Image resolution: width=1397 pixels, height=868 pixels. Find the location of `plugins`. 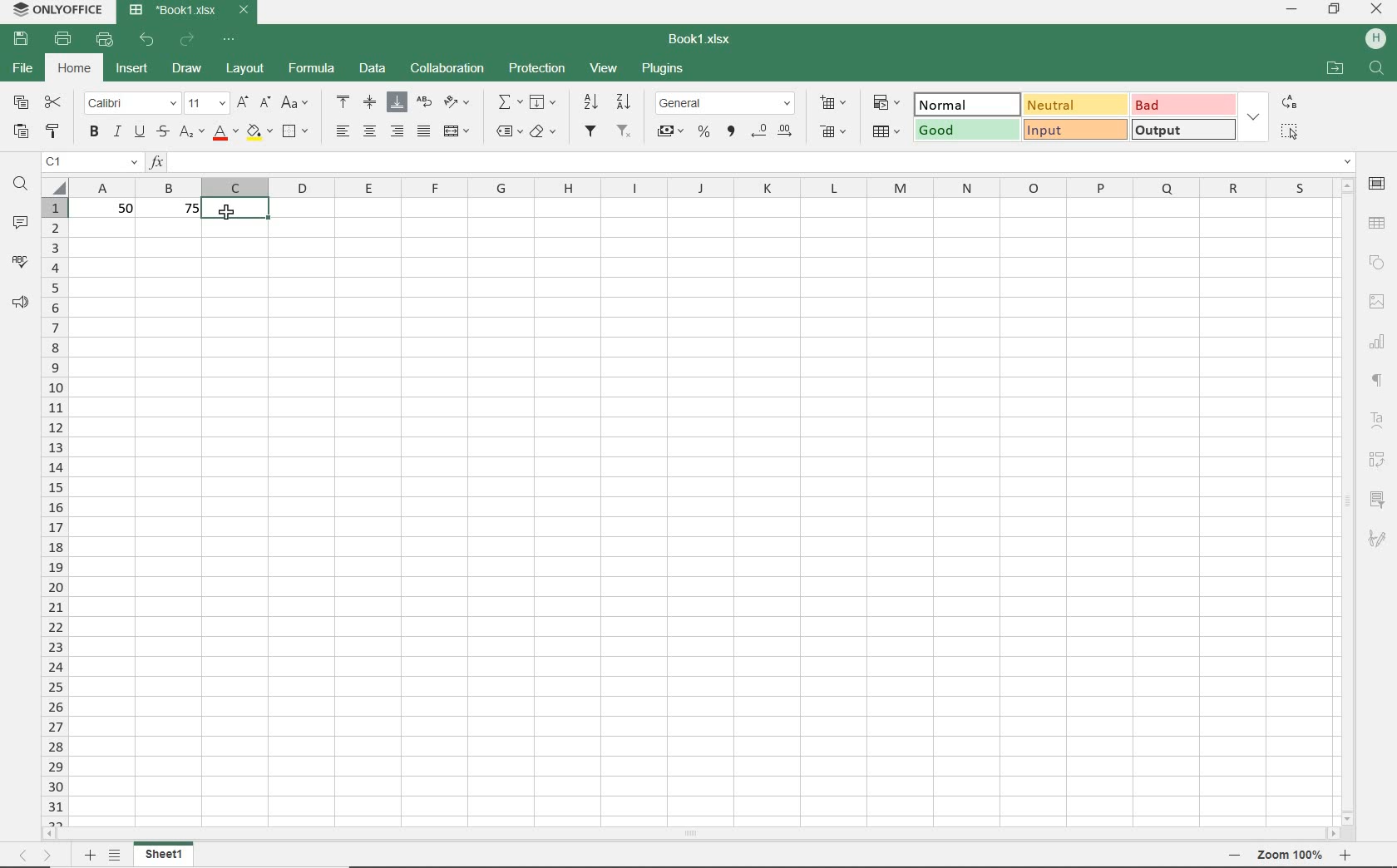

plugins is located at coordinates (660, 67).